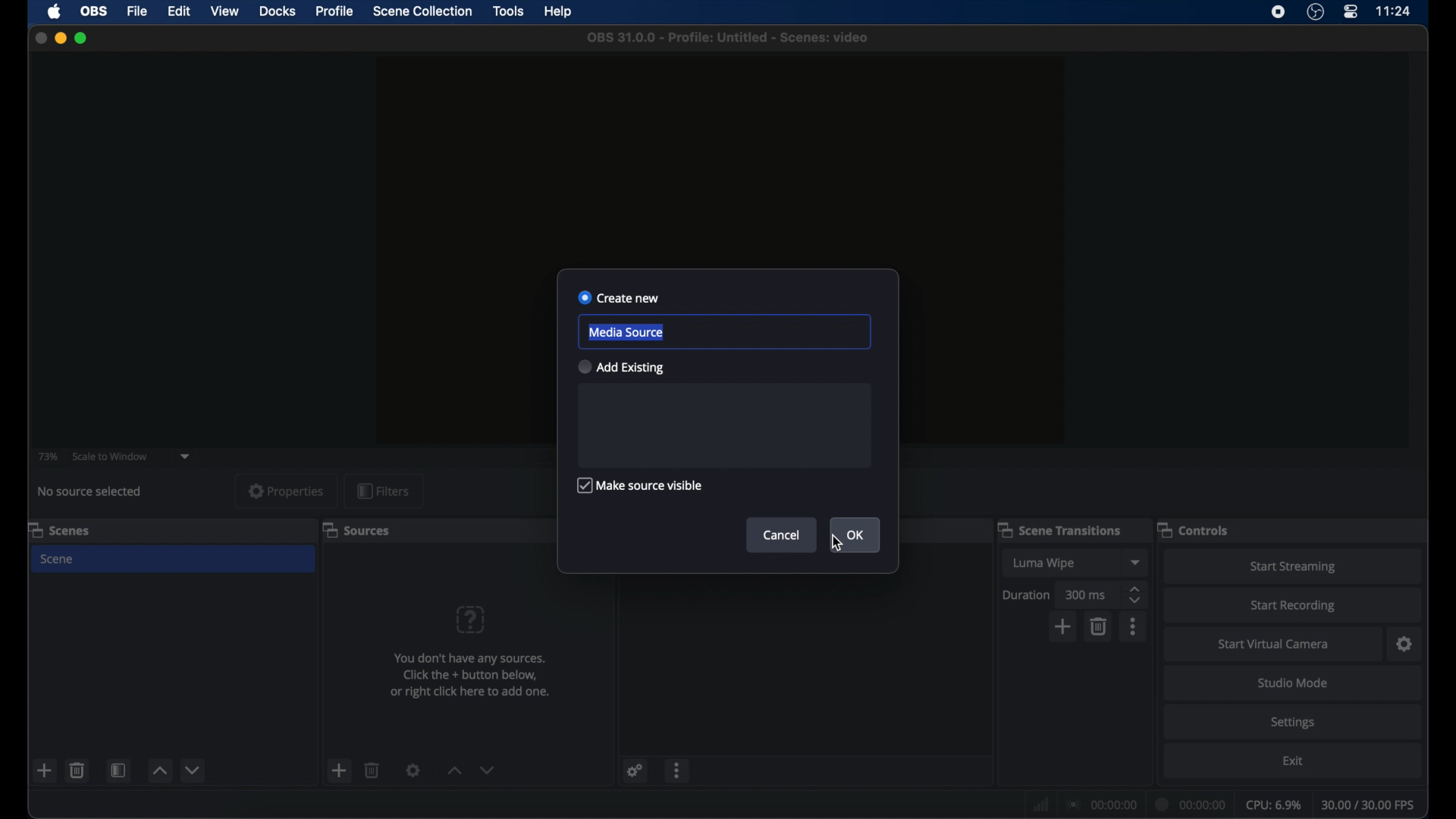 The image size is (1456, 819). I want to click on obs studio, so click(1314, 12).